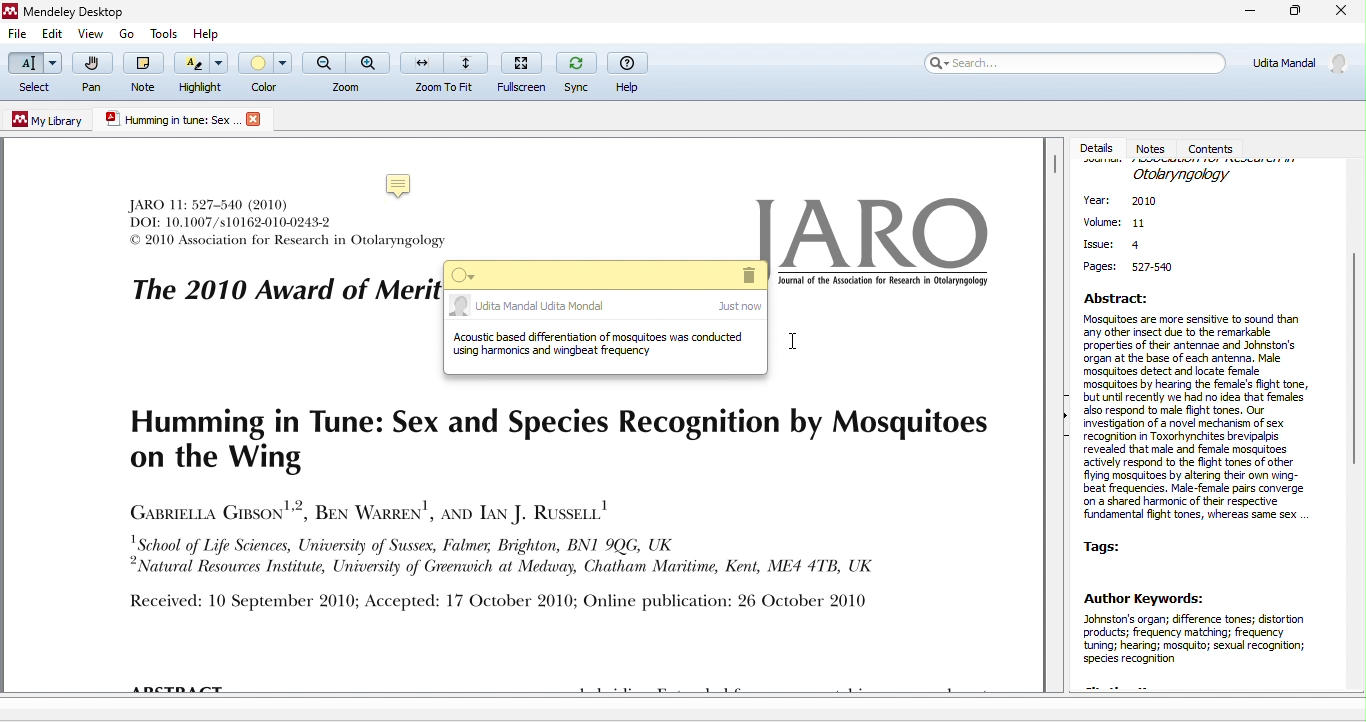  Describe the element at coordinates (346, 72) in the screenshot. I see `zoom` at that location.